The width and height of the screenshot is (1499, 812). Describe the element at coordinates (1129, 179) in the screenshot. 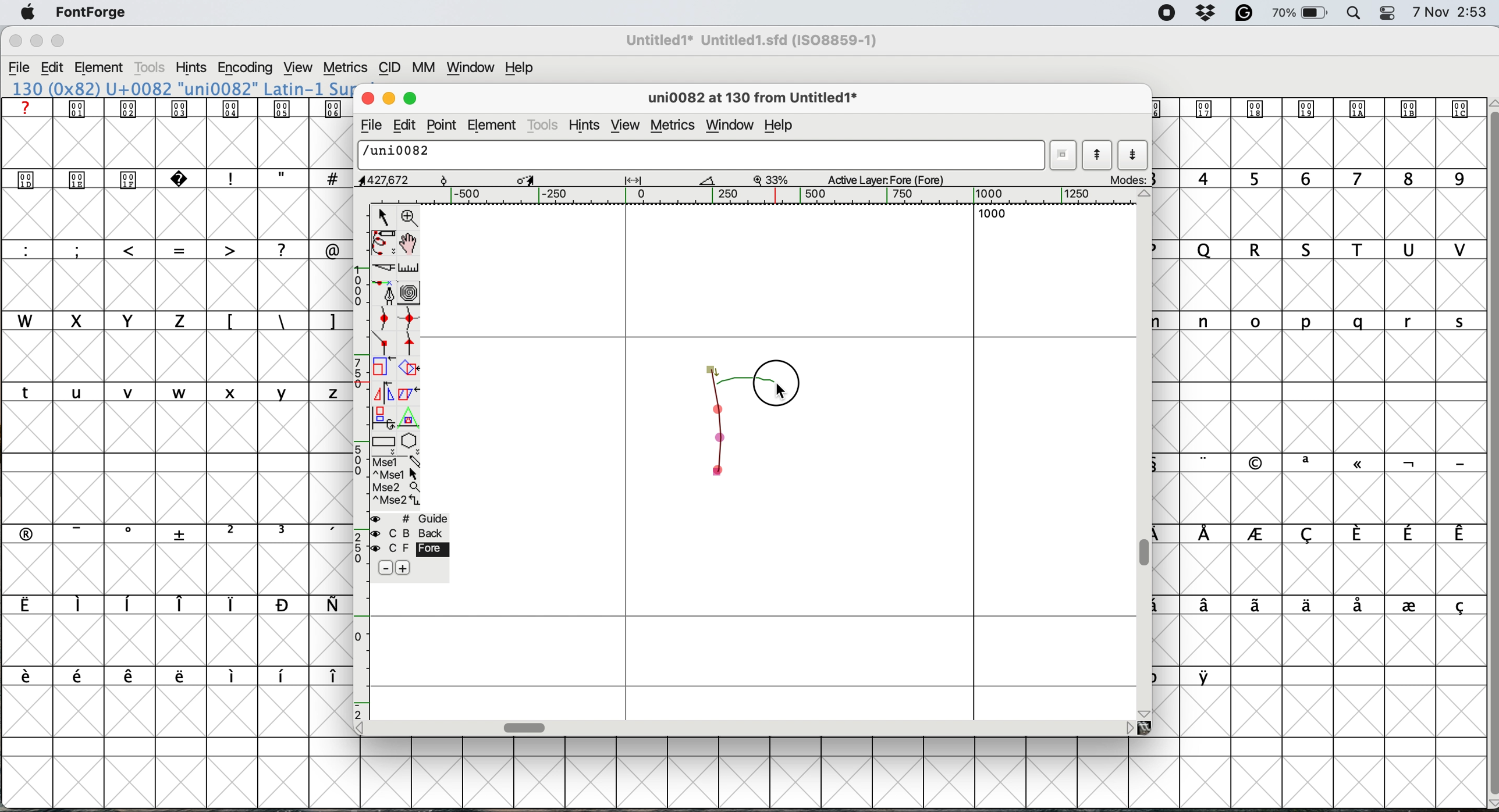

I see `modes` at that location.